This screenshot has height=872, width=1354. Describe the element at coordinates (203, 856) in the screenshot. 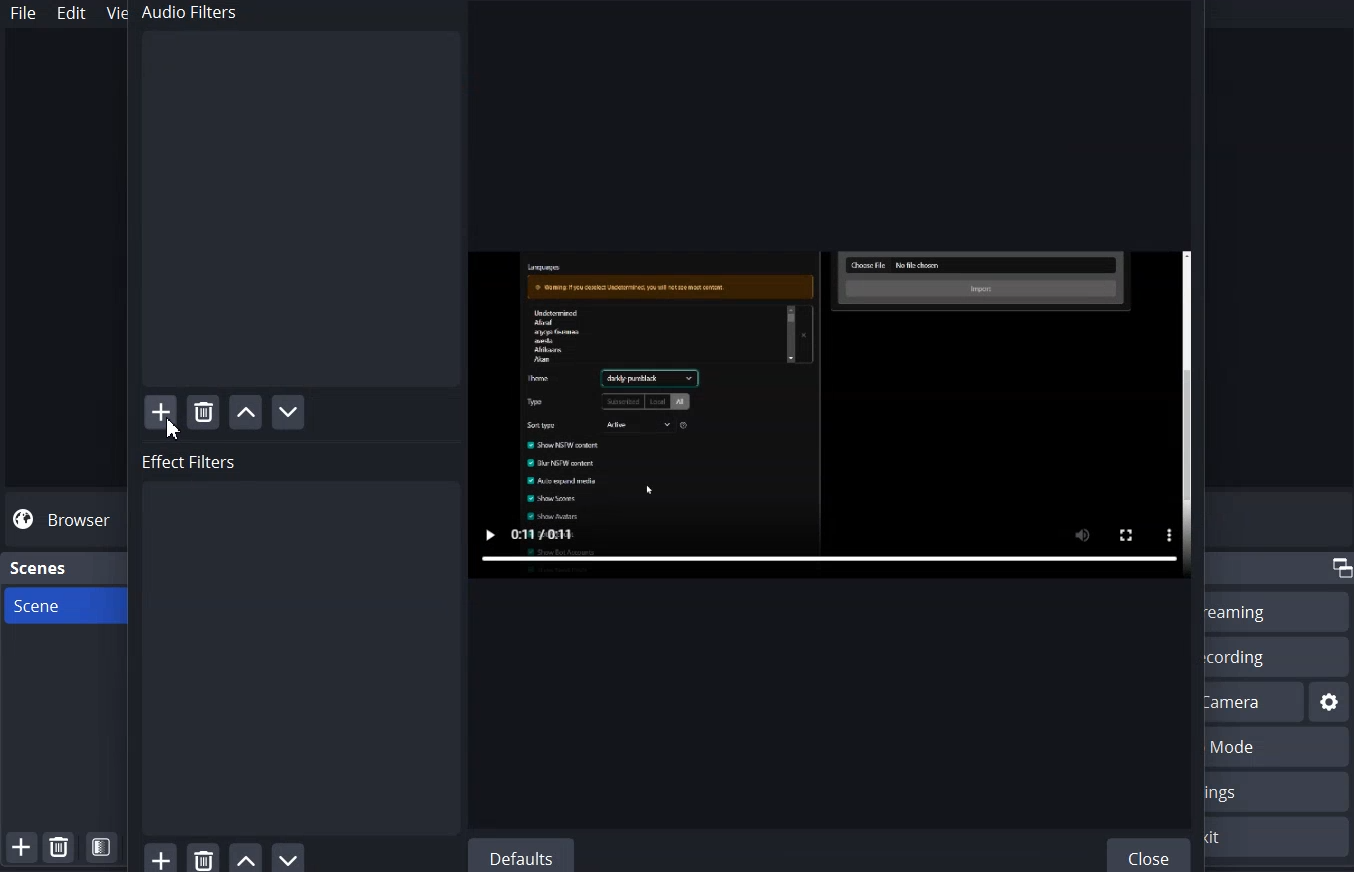

I see `Remove Filter` at that location.